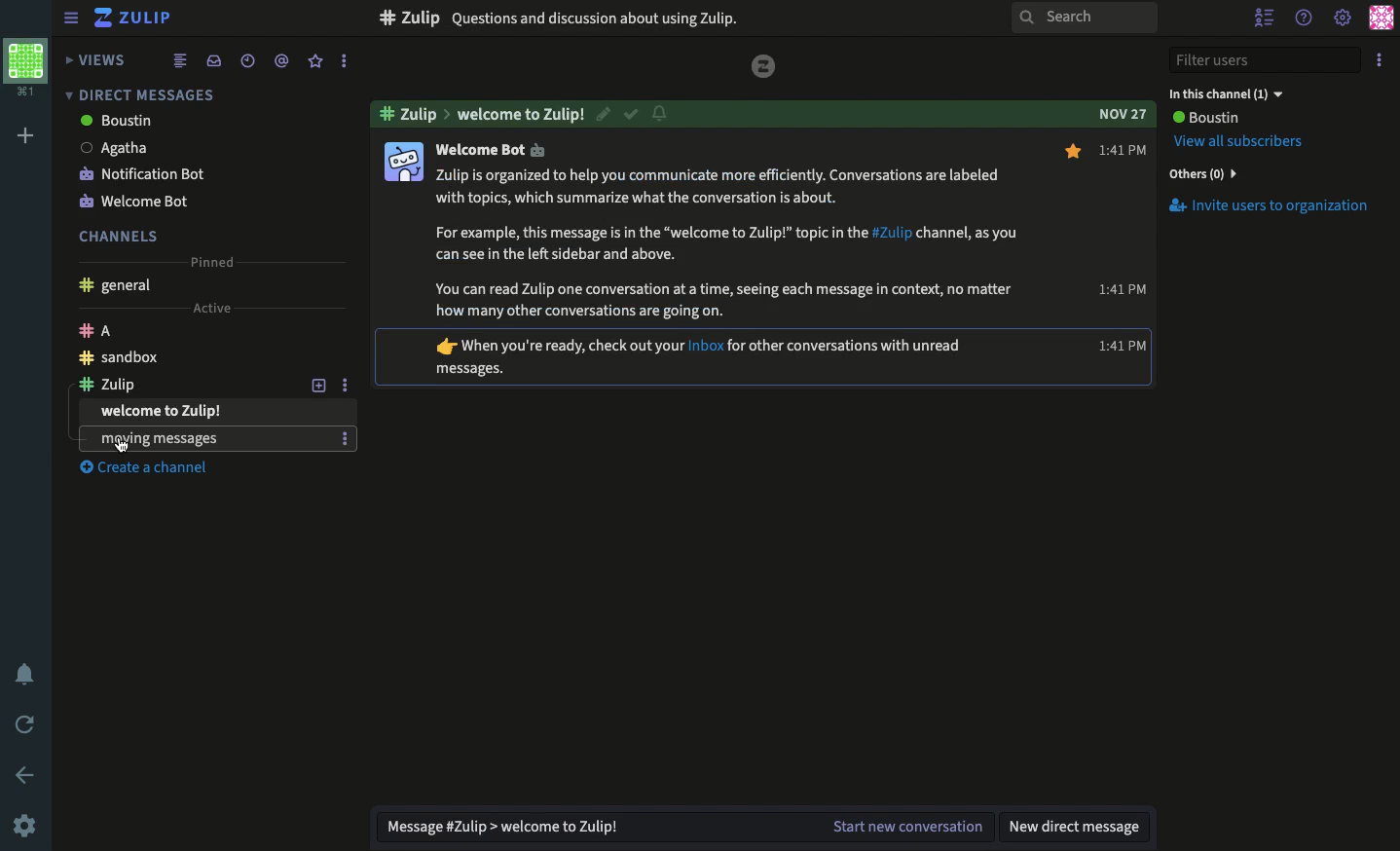  I want to click on Add, so click(26, 136).